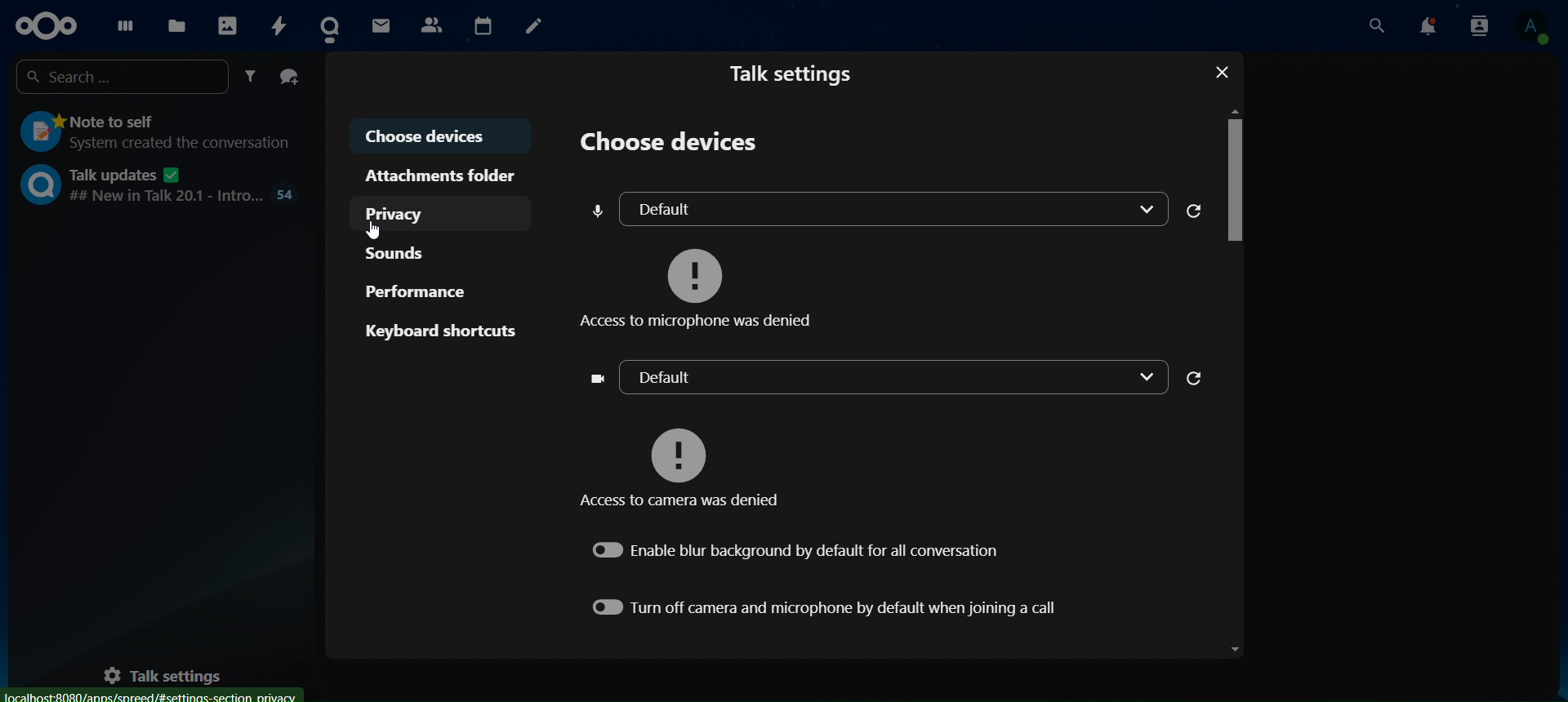  What do you see at coordinates (122, 25) in the screenshot?
I see `dashboard` at bounding box center [122, 25].